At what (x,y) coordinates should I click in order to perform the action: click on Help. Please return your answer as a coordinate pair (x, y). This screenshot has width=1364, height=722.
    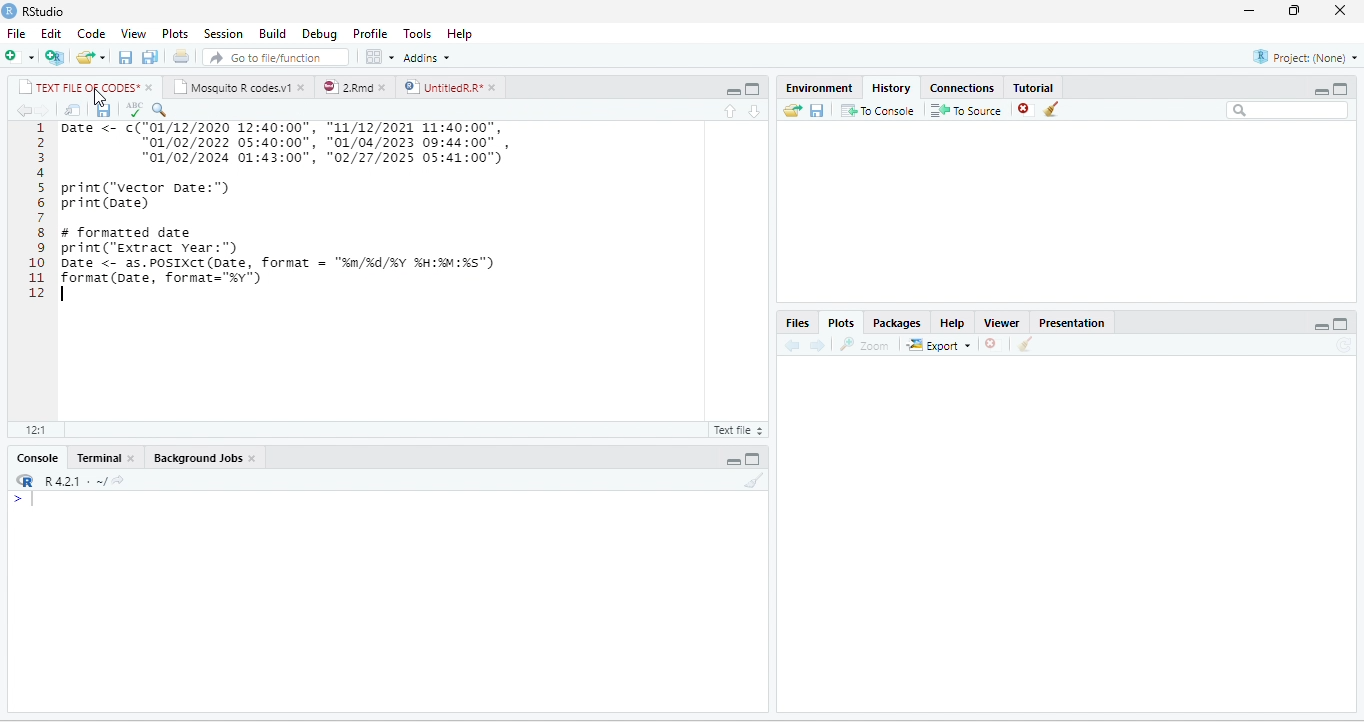
    Looking at the image, I should click on (460, 35).